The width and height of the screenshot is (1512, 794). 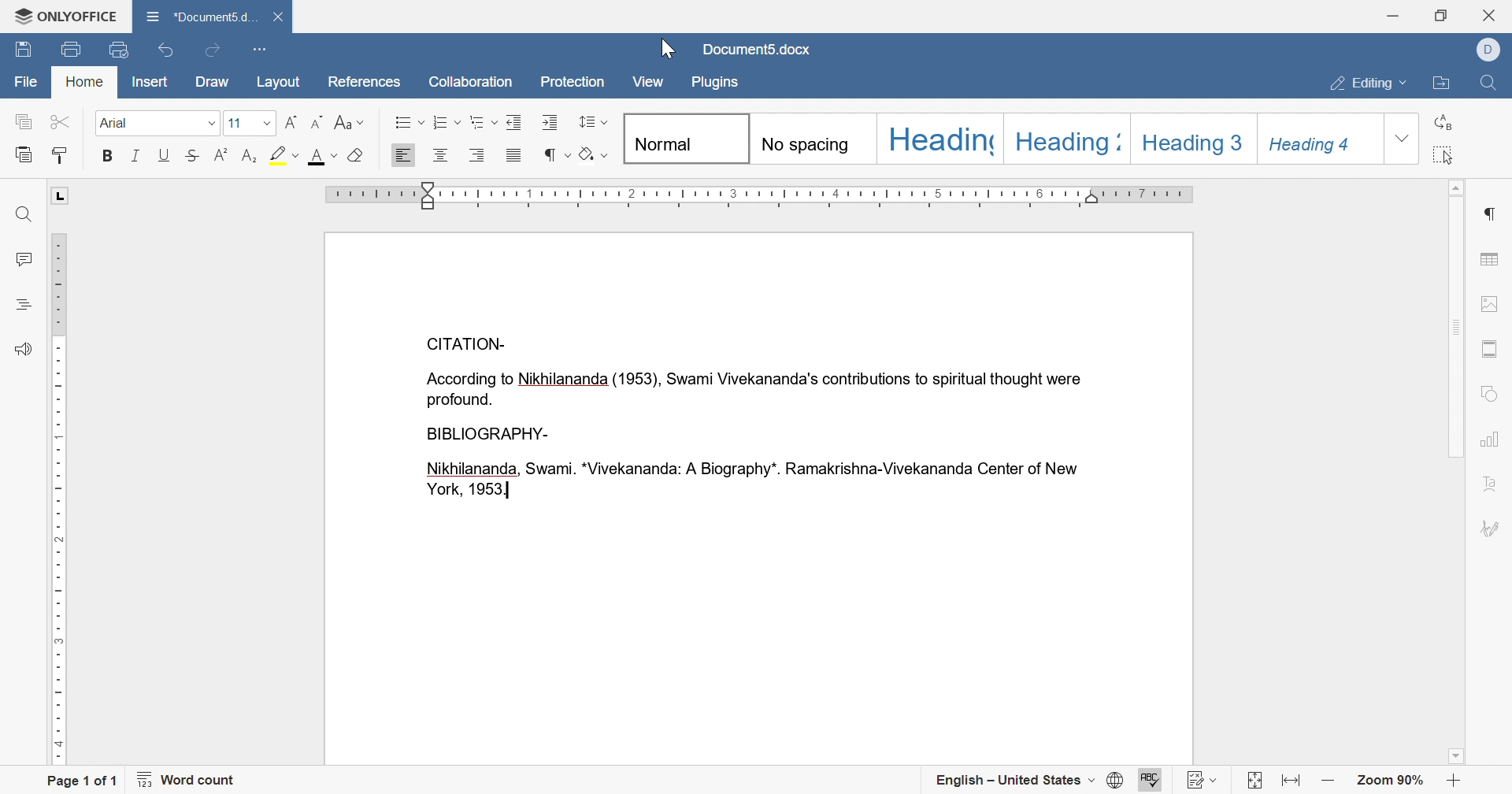 What do you see at coordinates (23, 80) in the screenshot?
I see `file` at bounding box center [23, 80].